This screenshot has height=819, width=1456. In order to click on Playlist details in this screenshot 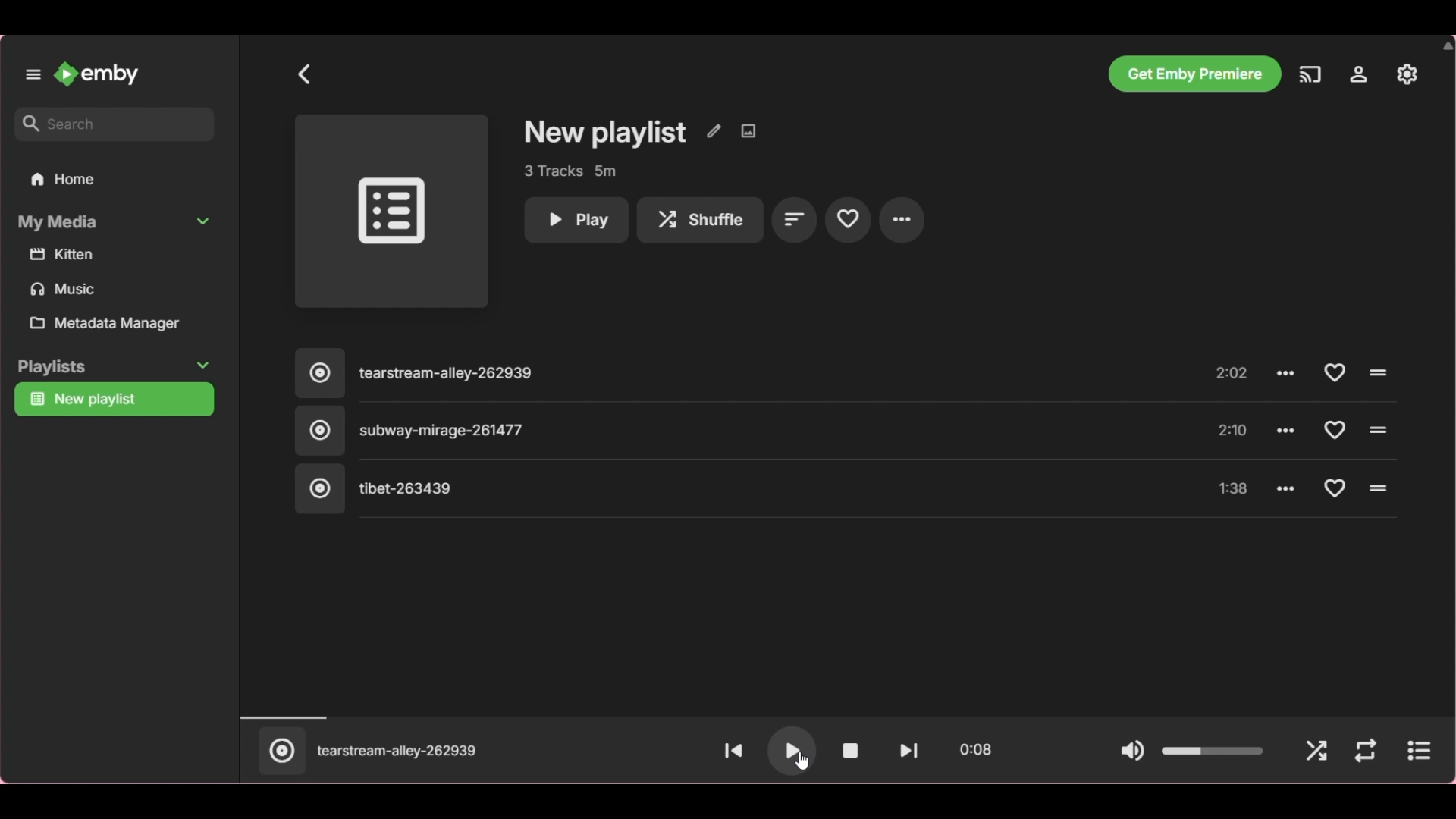, I will do `click(570, 171)`.